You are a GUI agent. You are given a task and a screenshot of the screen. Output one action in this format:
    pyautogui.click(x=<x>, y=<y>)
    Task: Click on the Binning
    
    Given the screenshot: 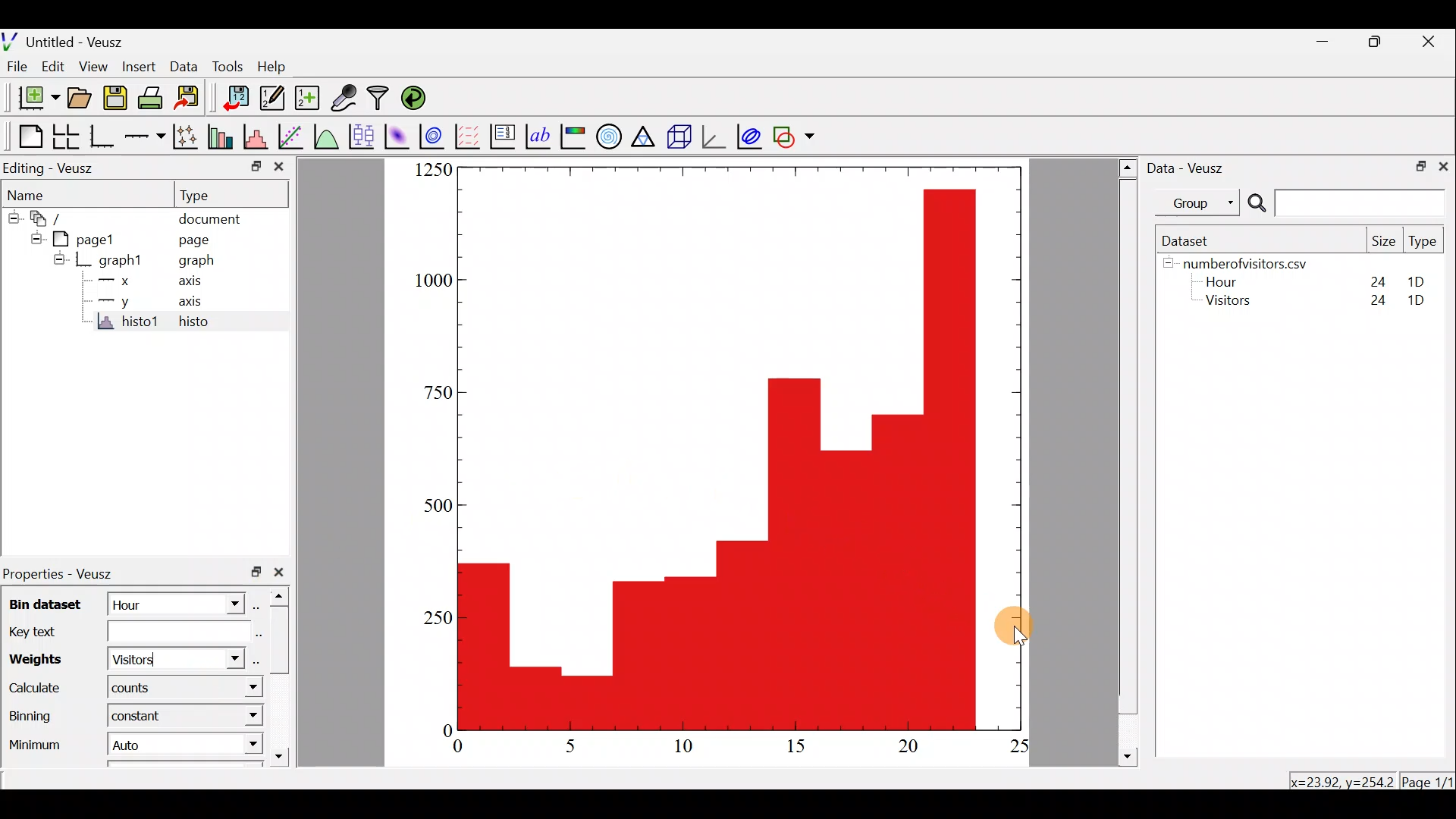 What is the action you would take?
    pyautogui.click(x=33, y=720)
    